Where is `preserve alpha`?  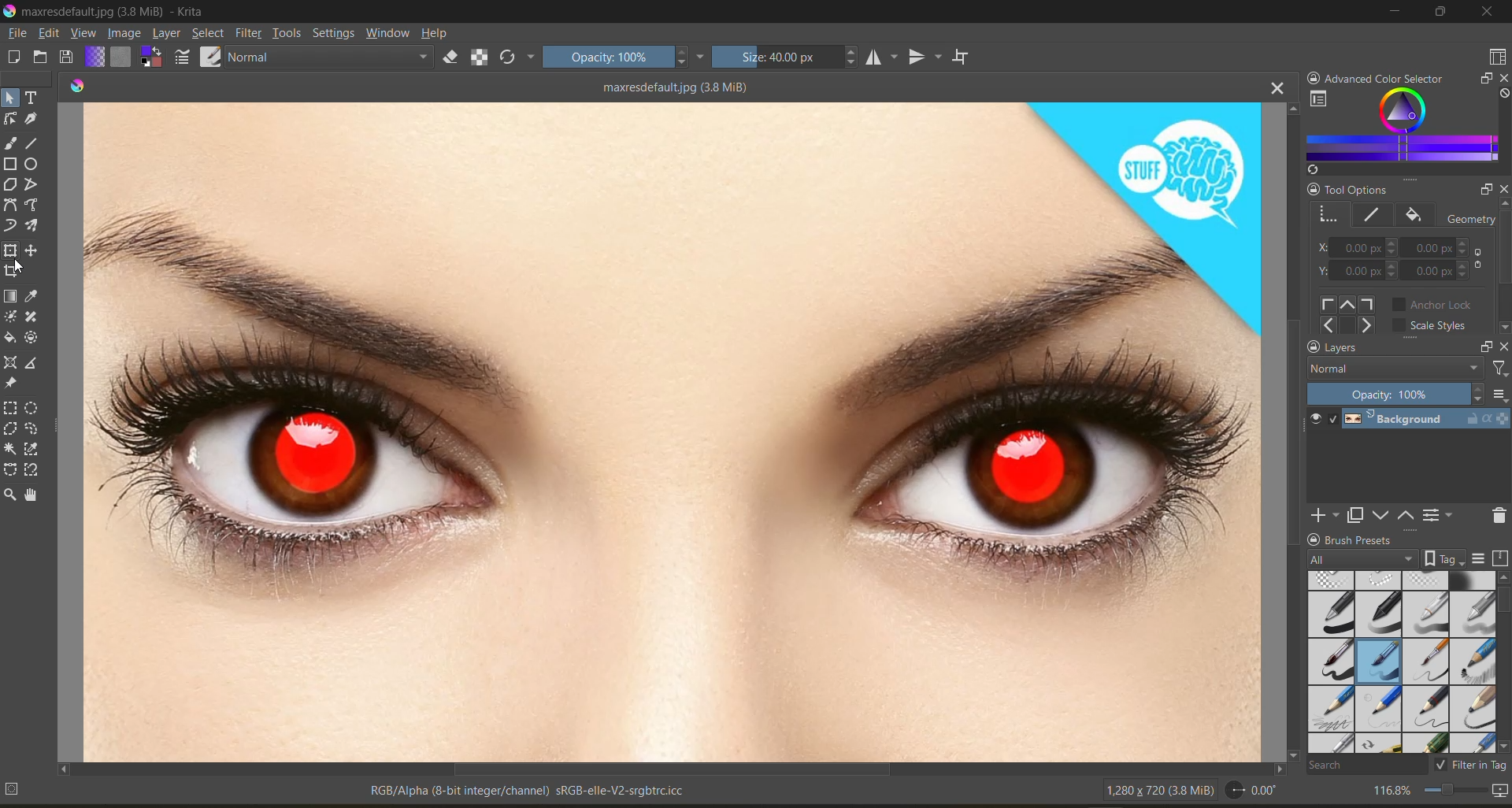
preserve alpha is located at coordinates (481, 57).